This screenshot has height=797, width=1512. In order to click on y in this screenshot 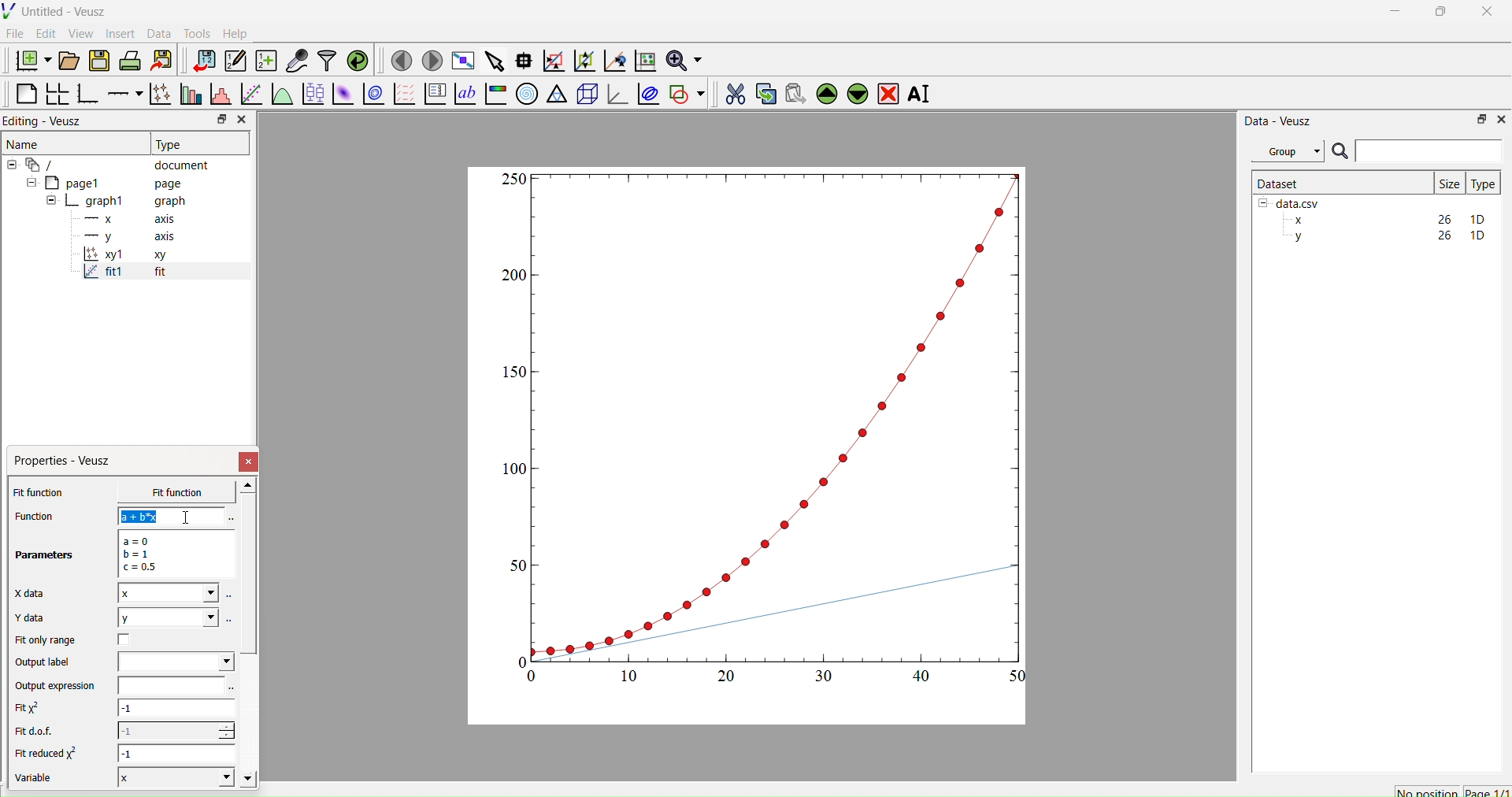, I will do `click(167, 617)`.